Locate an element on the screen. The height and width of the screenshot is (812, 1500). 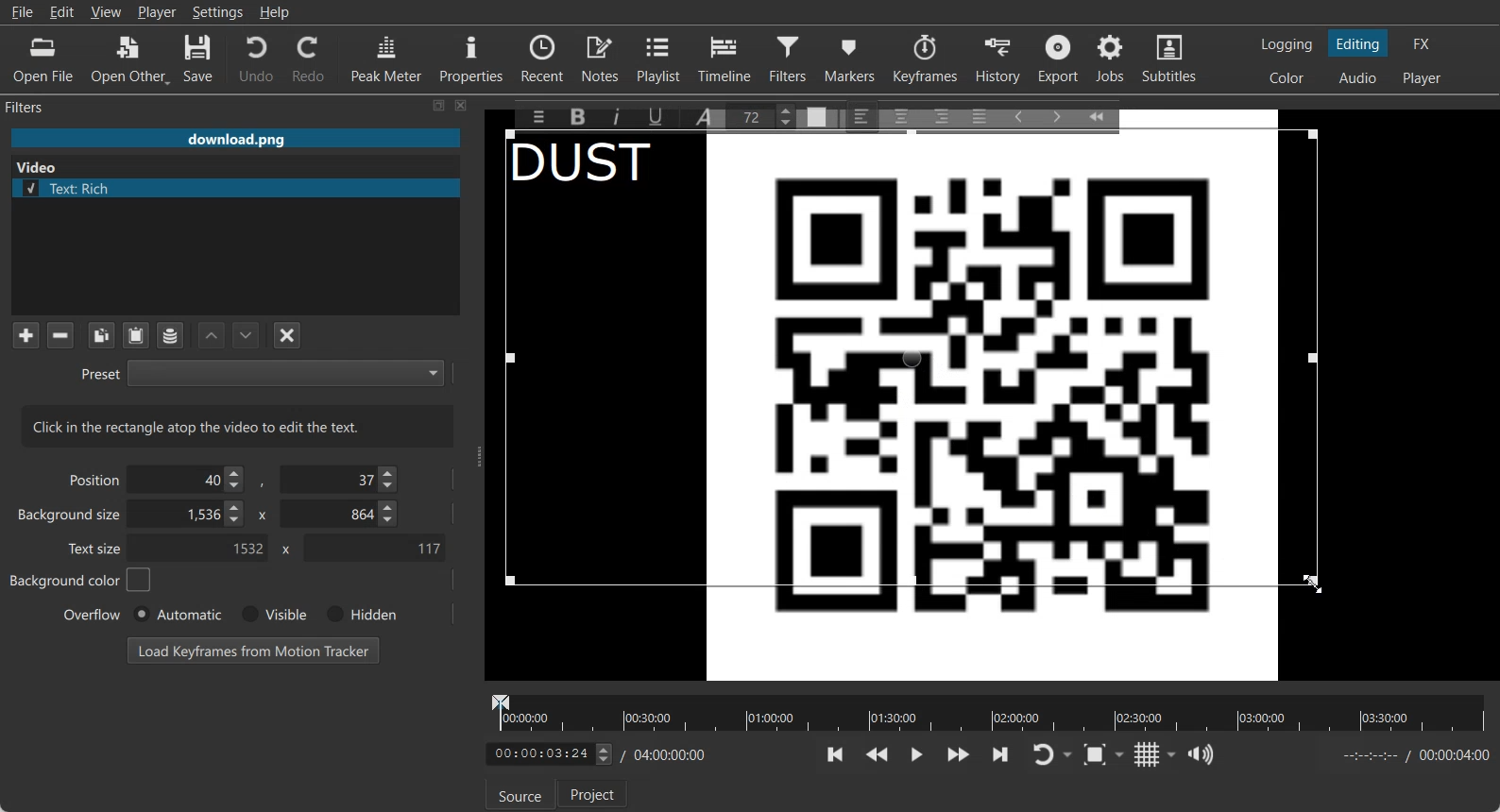
Position Y- Coordinate is located at coordinates (341, 479).